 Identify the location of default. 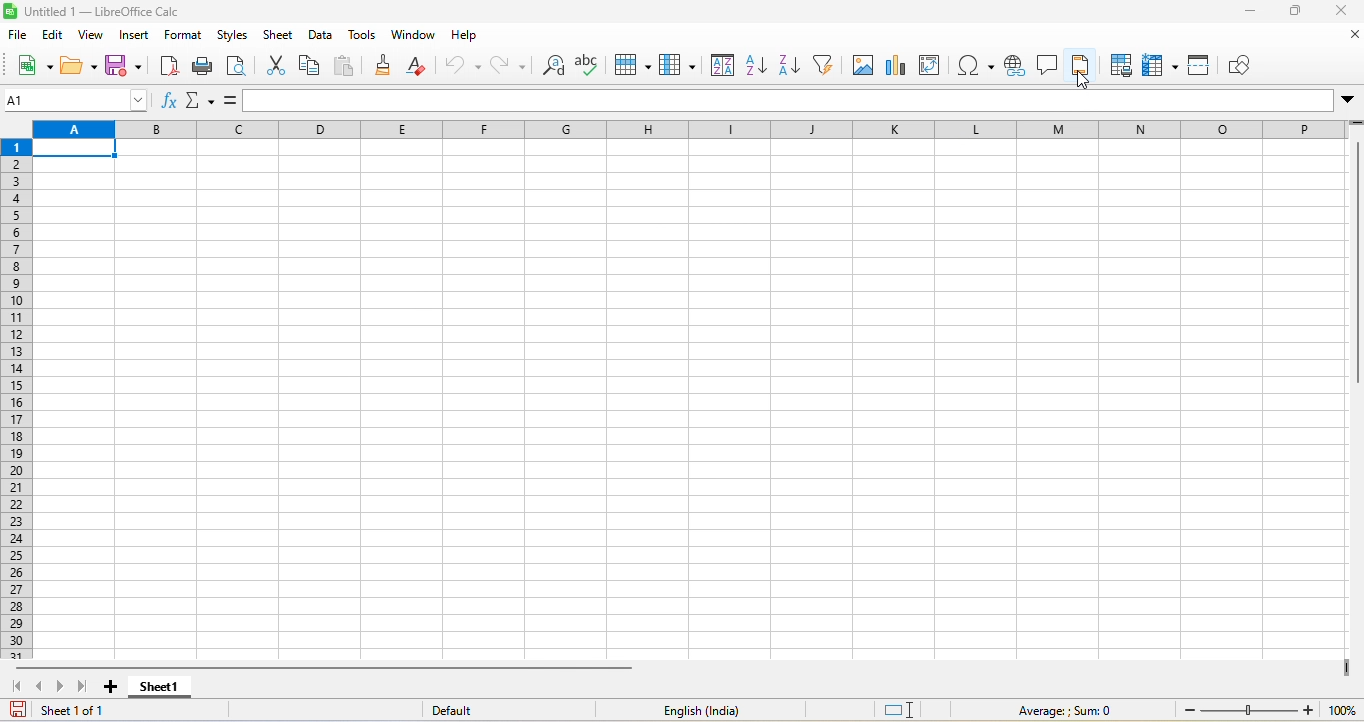
(462, 710).